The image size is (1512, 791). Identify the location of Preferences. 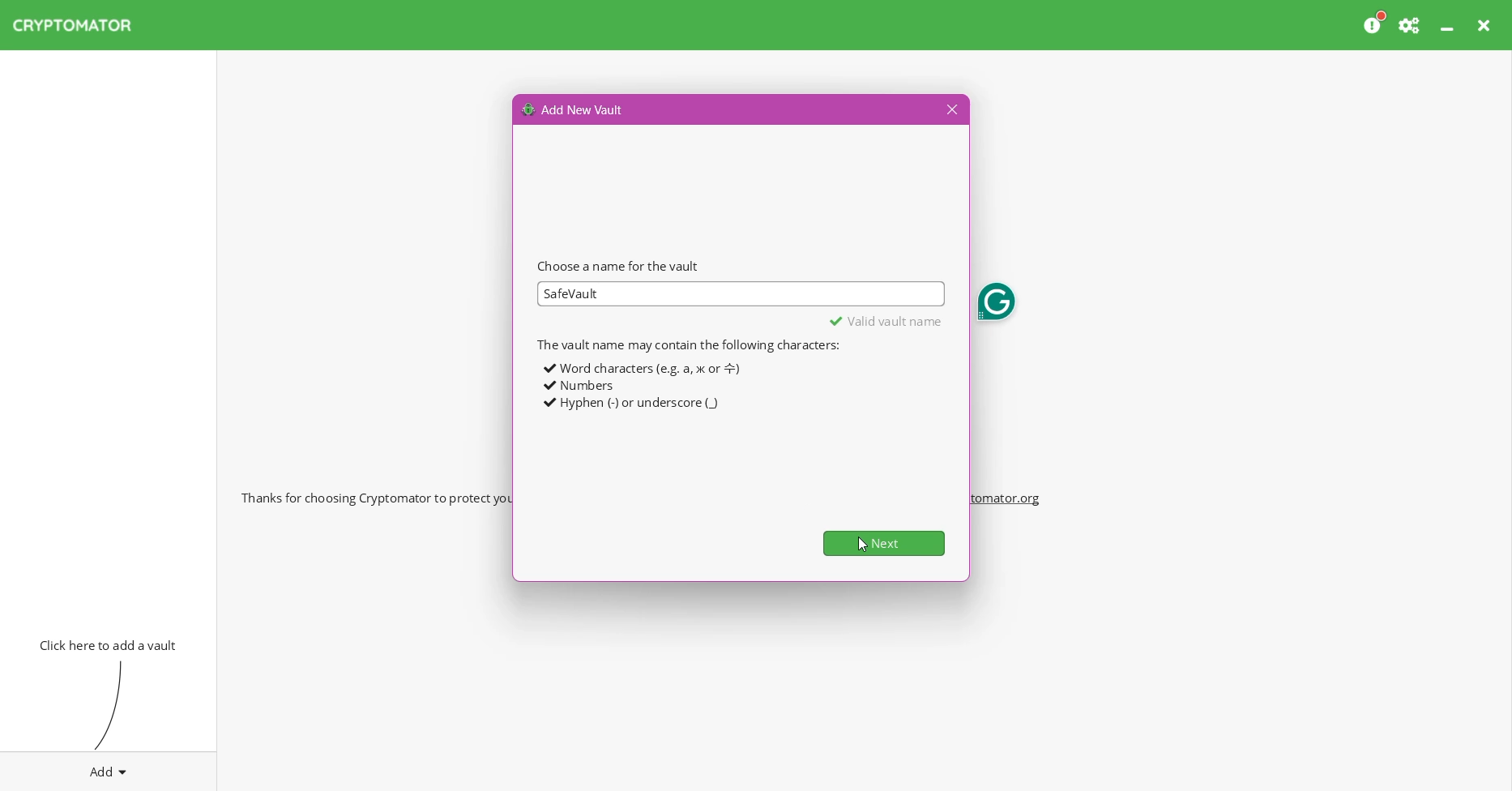
(1411, 25).